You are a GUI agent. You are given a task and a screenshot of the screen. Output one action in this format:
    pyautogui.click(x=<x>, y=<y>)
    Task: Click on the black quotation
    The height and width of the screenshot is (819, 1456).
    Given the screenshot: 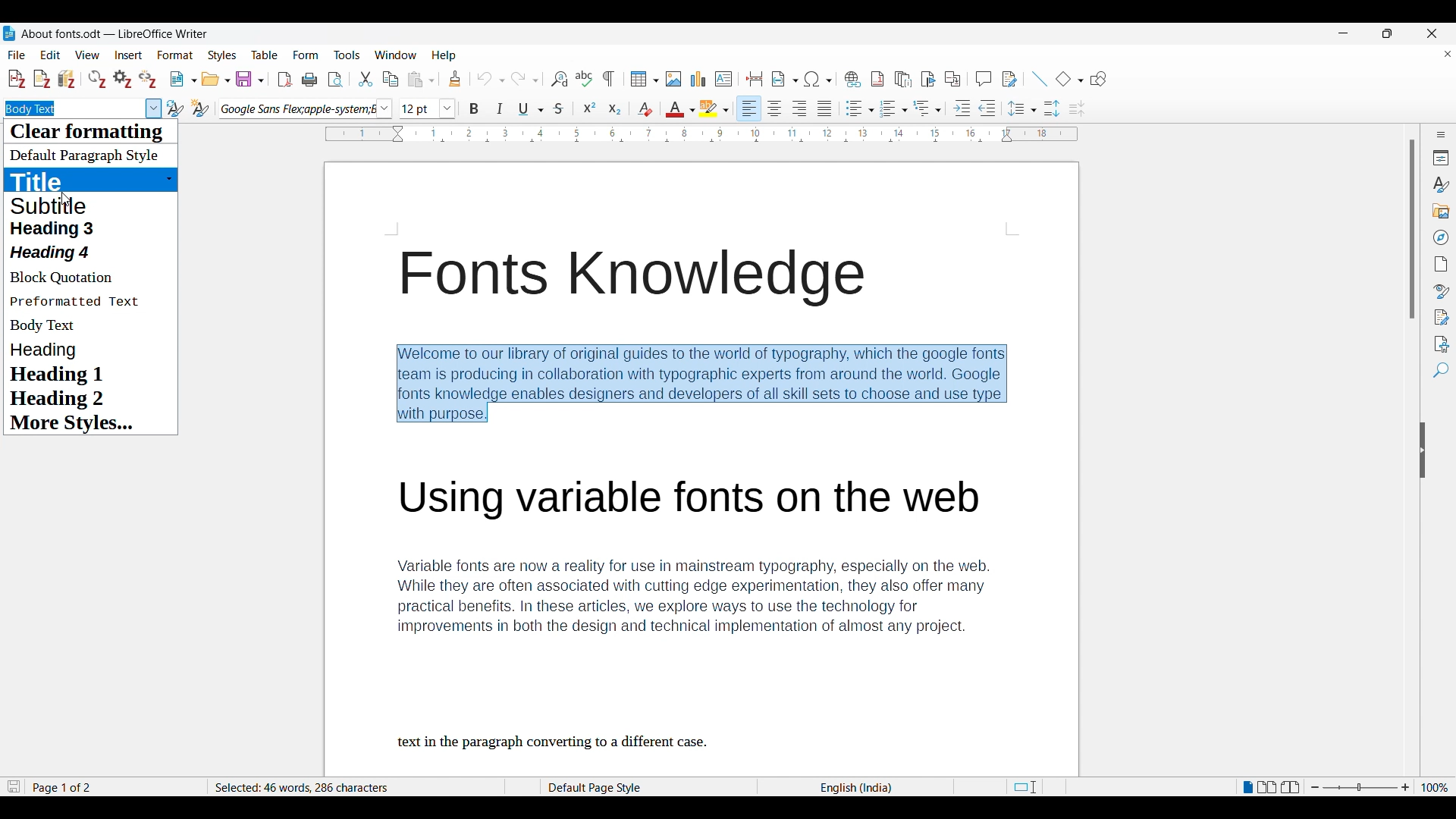 What is the action you would take?
    pyautogui.click(x=72, y=279)
    